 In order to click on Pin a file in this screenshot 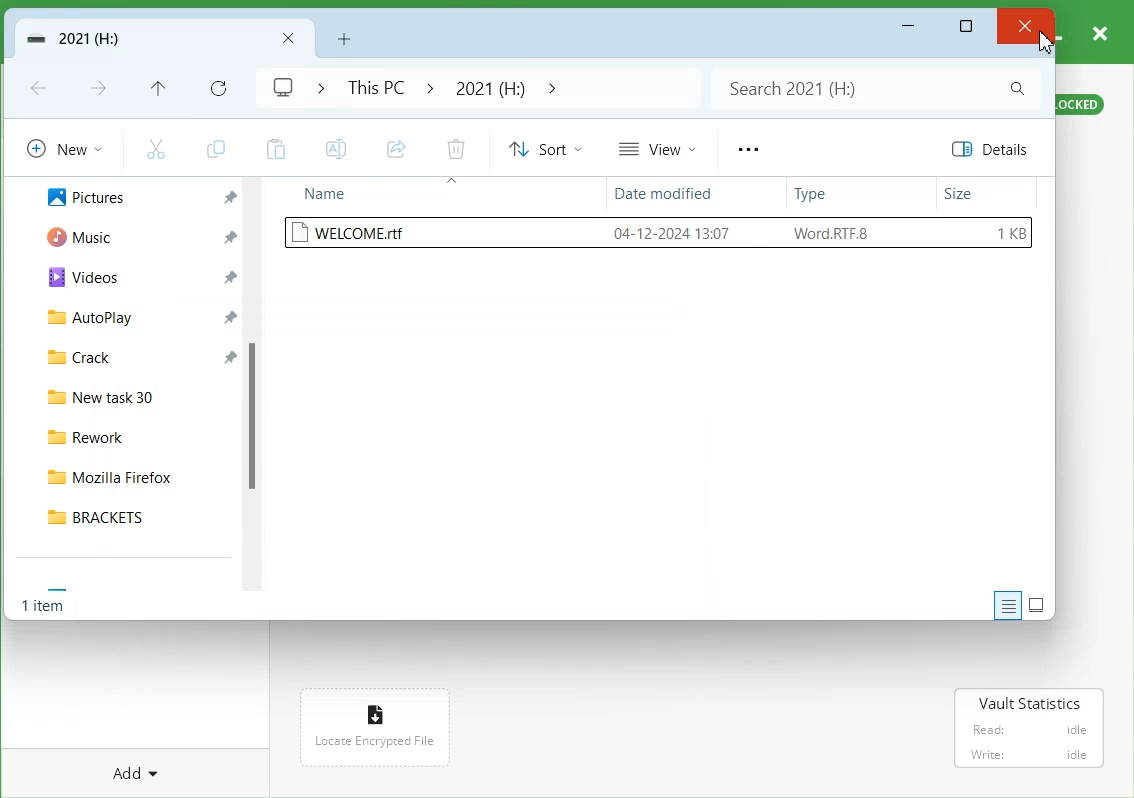, I will do `click(229, 275)`.